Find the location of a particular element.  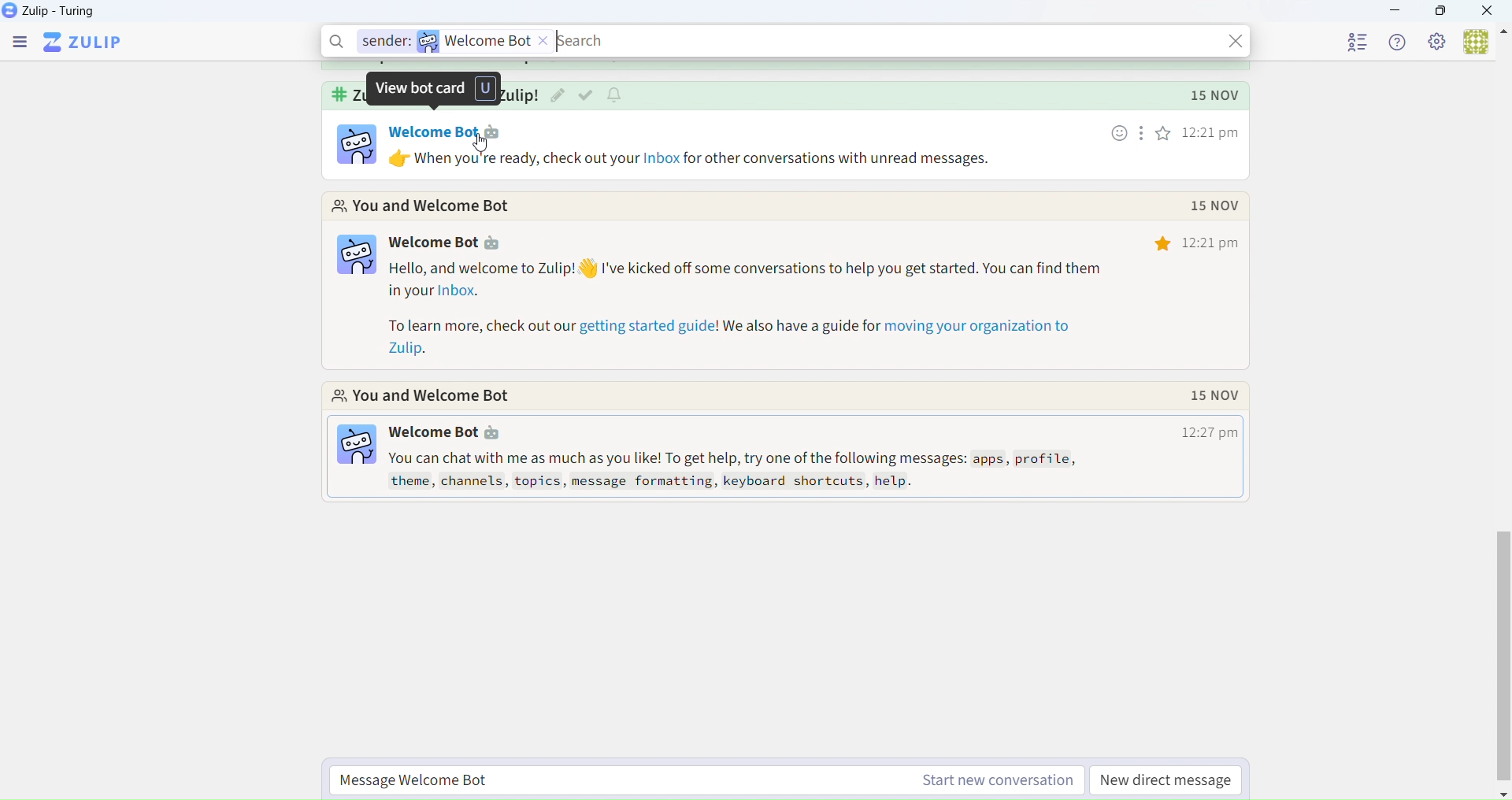

more options is located at coordinates (1142, 135).